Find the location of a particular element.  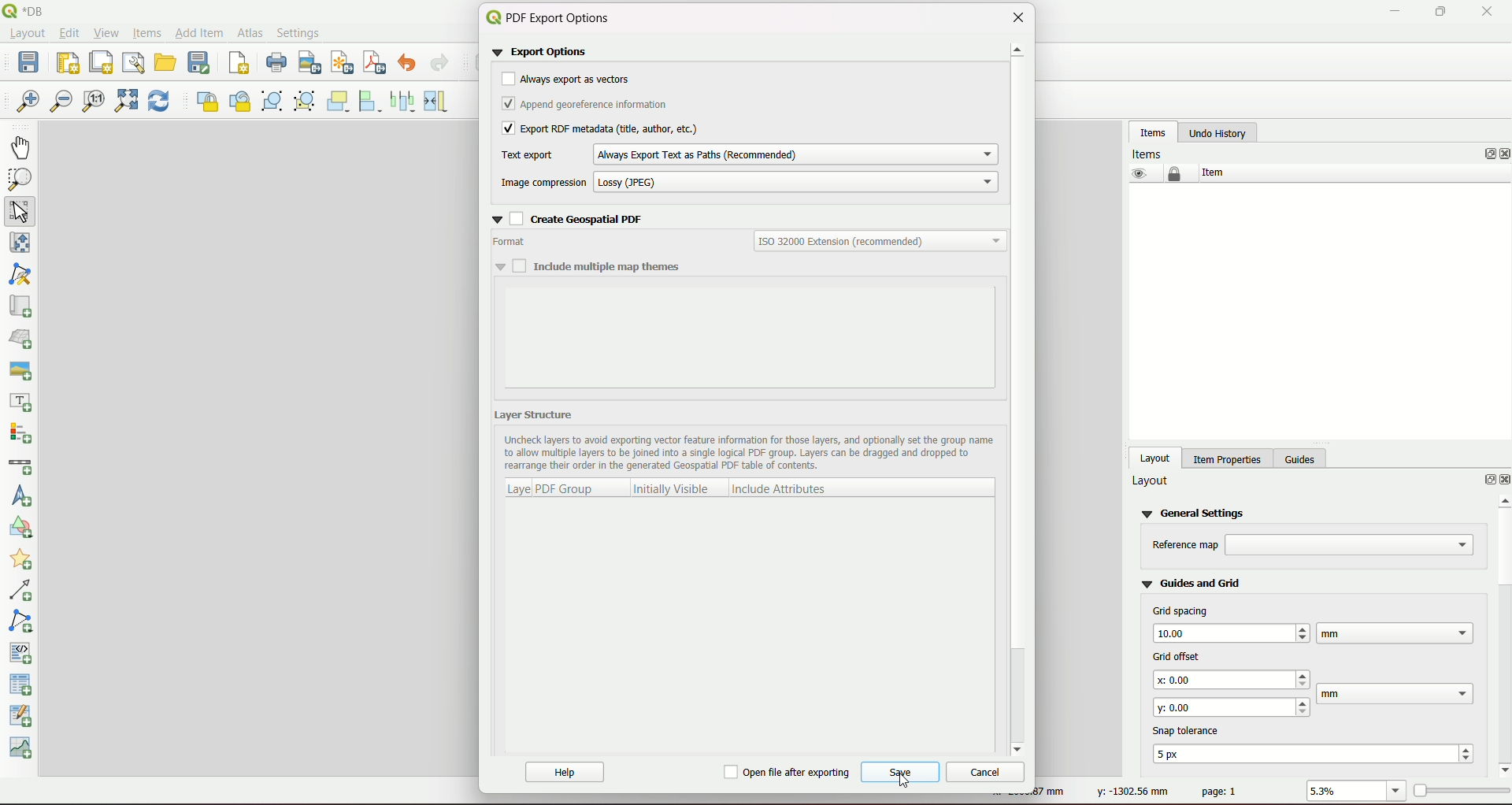

Atlas is located at coordinates (249, 32).